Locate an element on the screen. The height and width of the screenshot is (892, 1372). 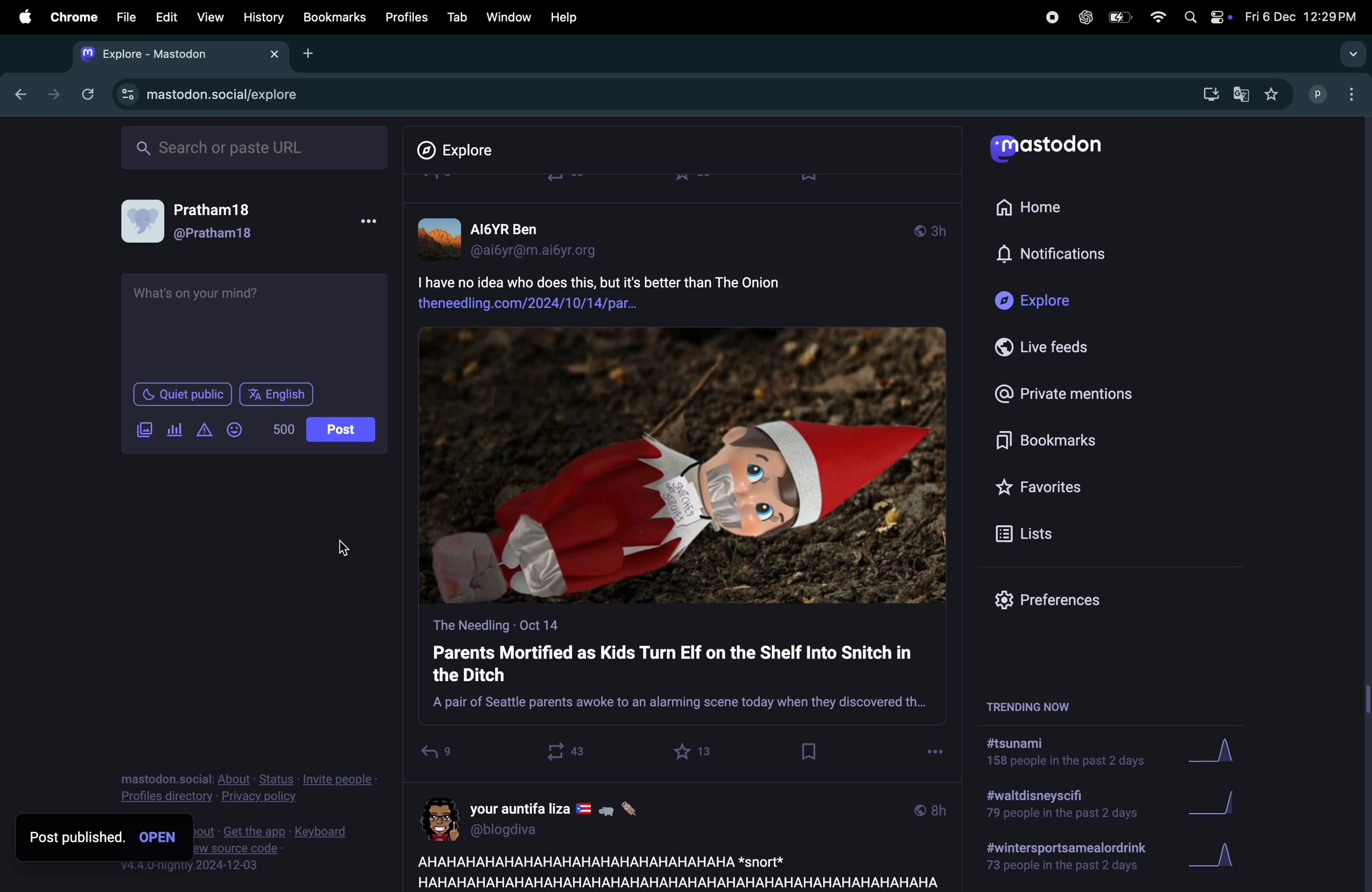
Explore is located at coordinates (464, 150).